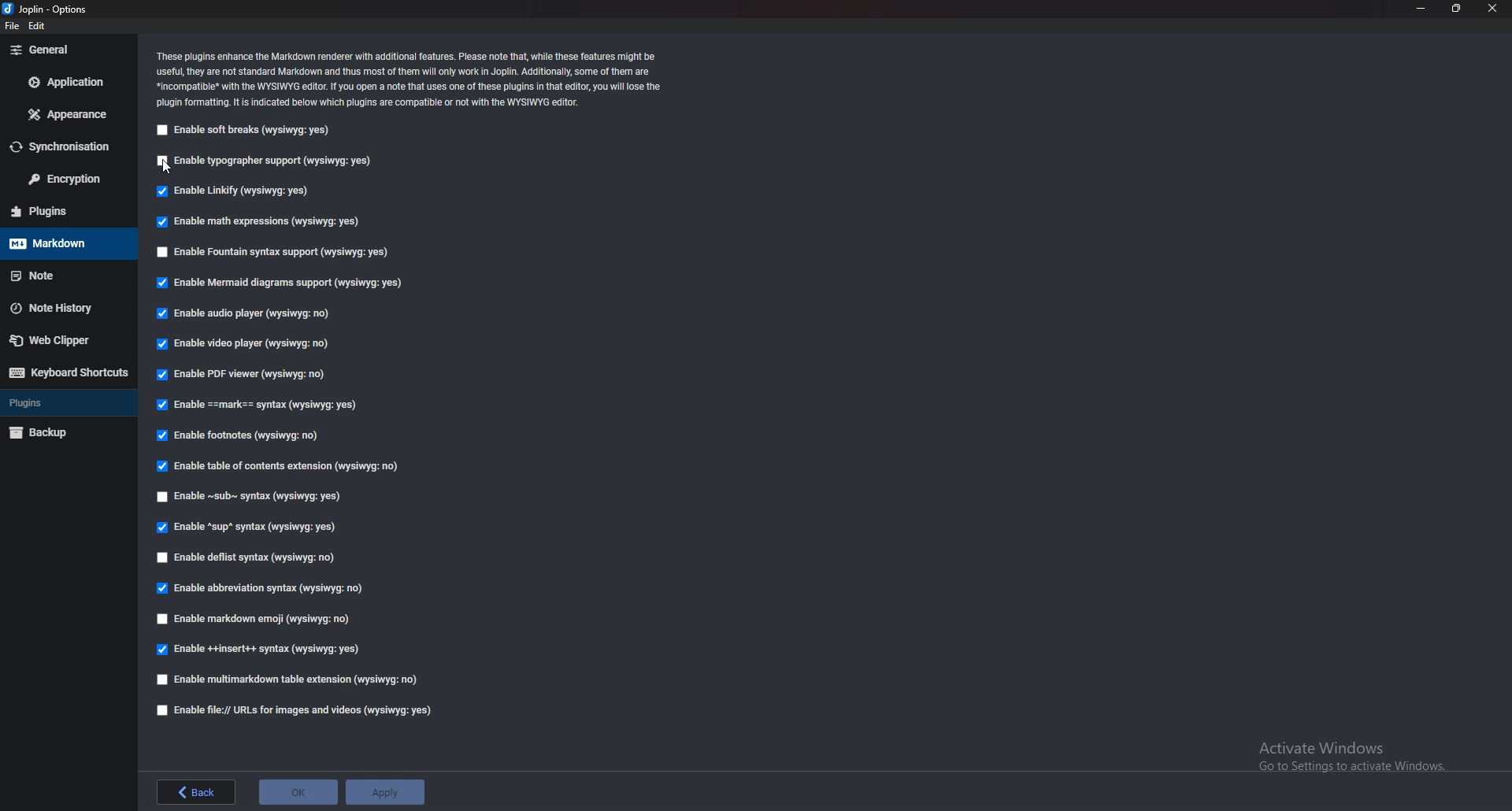 The image size is (1512, 811). What do you see at coordinates (279, 252) in the screenshot?
I see `enable fountain syntax support` at bounding box center [279, 252].